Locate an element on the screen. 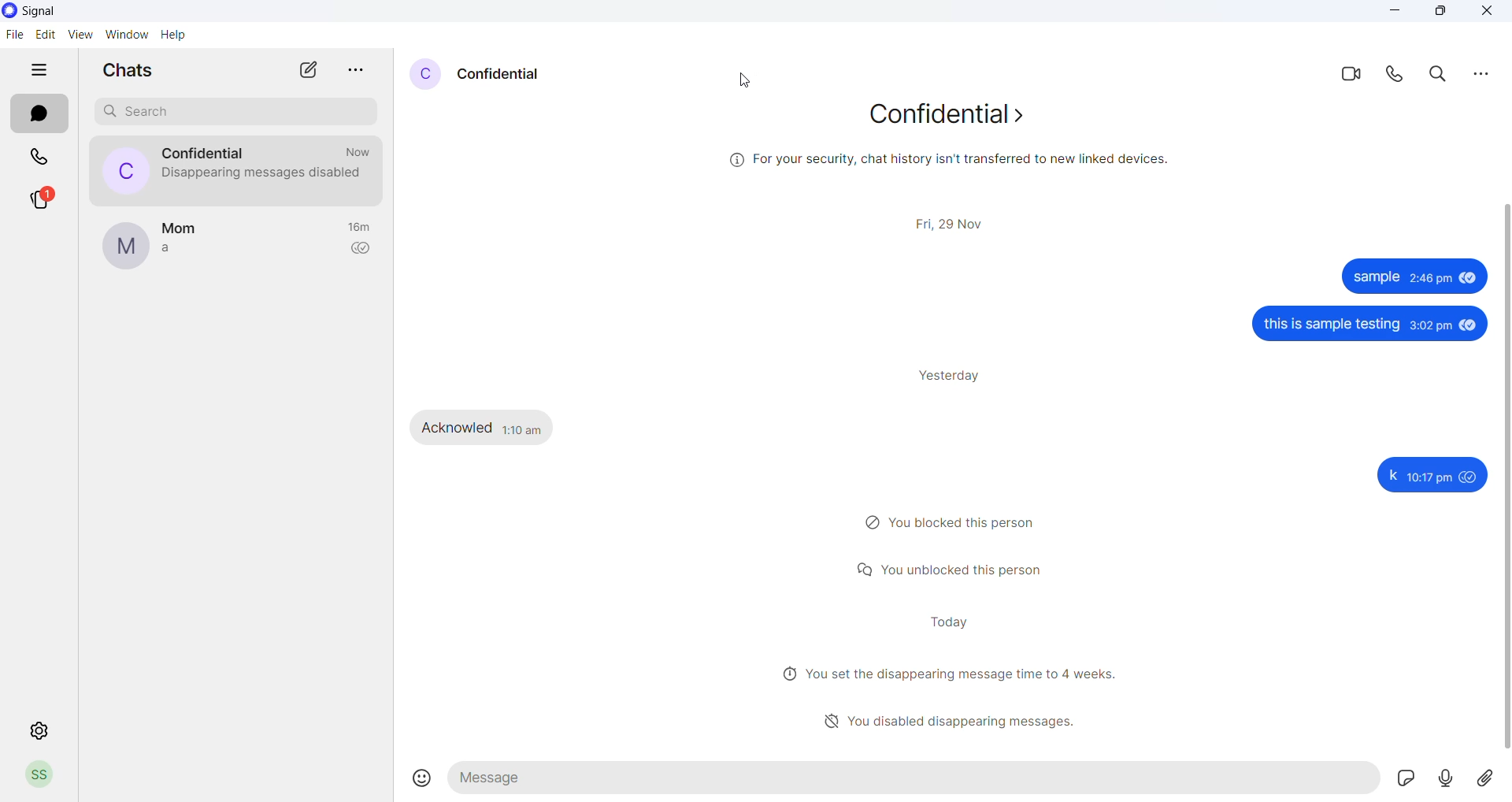 The width and height of the screenshot is (1512, 802).  is located at coordinates (949, 115).